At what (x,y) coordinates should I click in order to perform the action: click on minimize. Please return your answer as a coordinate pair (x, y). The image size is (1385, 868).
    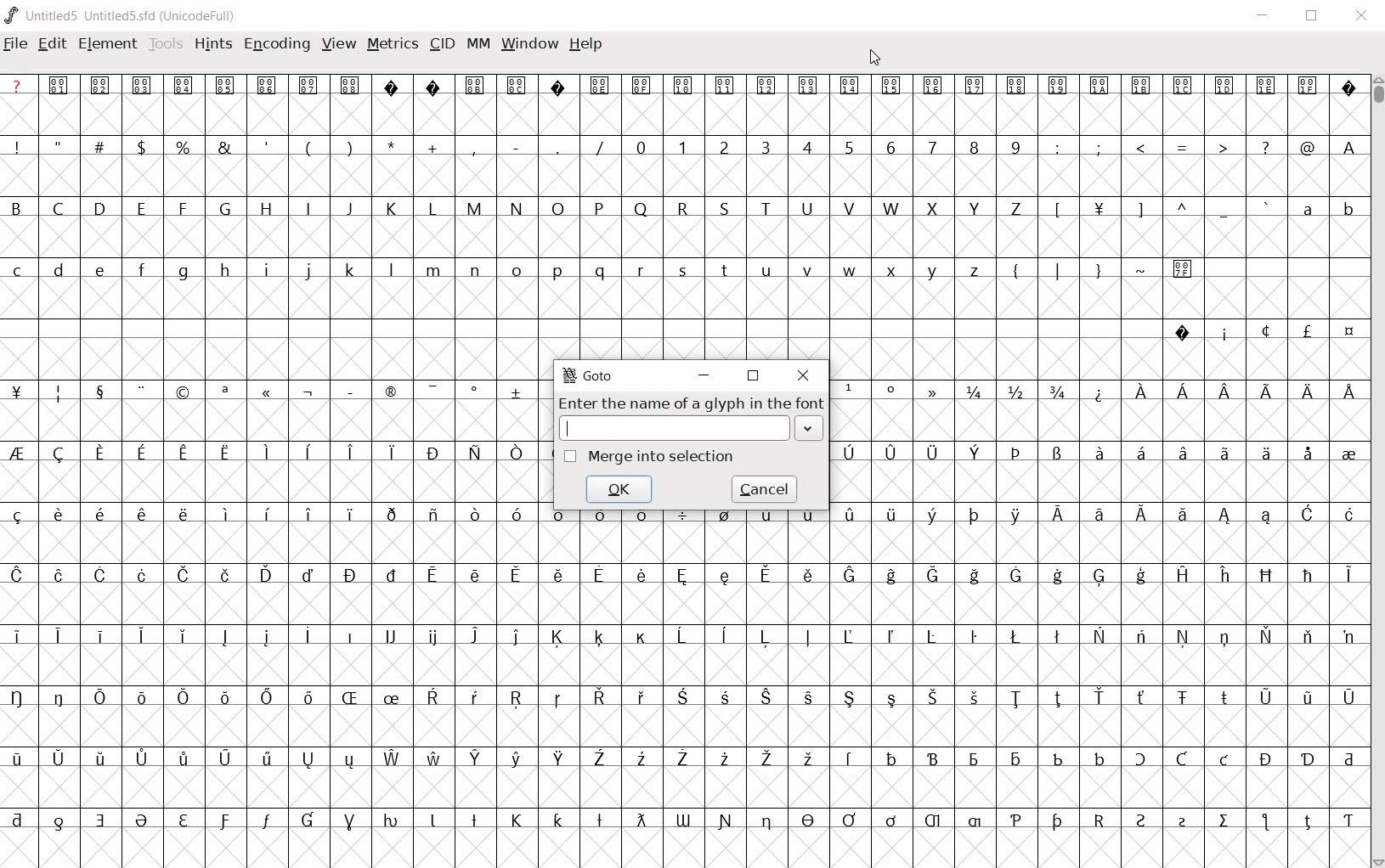
    Looking at the image, I should click on (703, 375).